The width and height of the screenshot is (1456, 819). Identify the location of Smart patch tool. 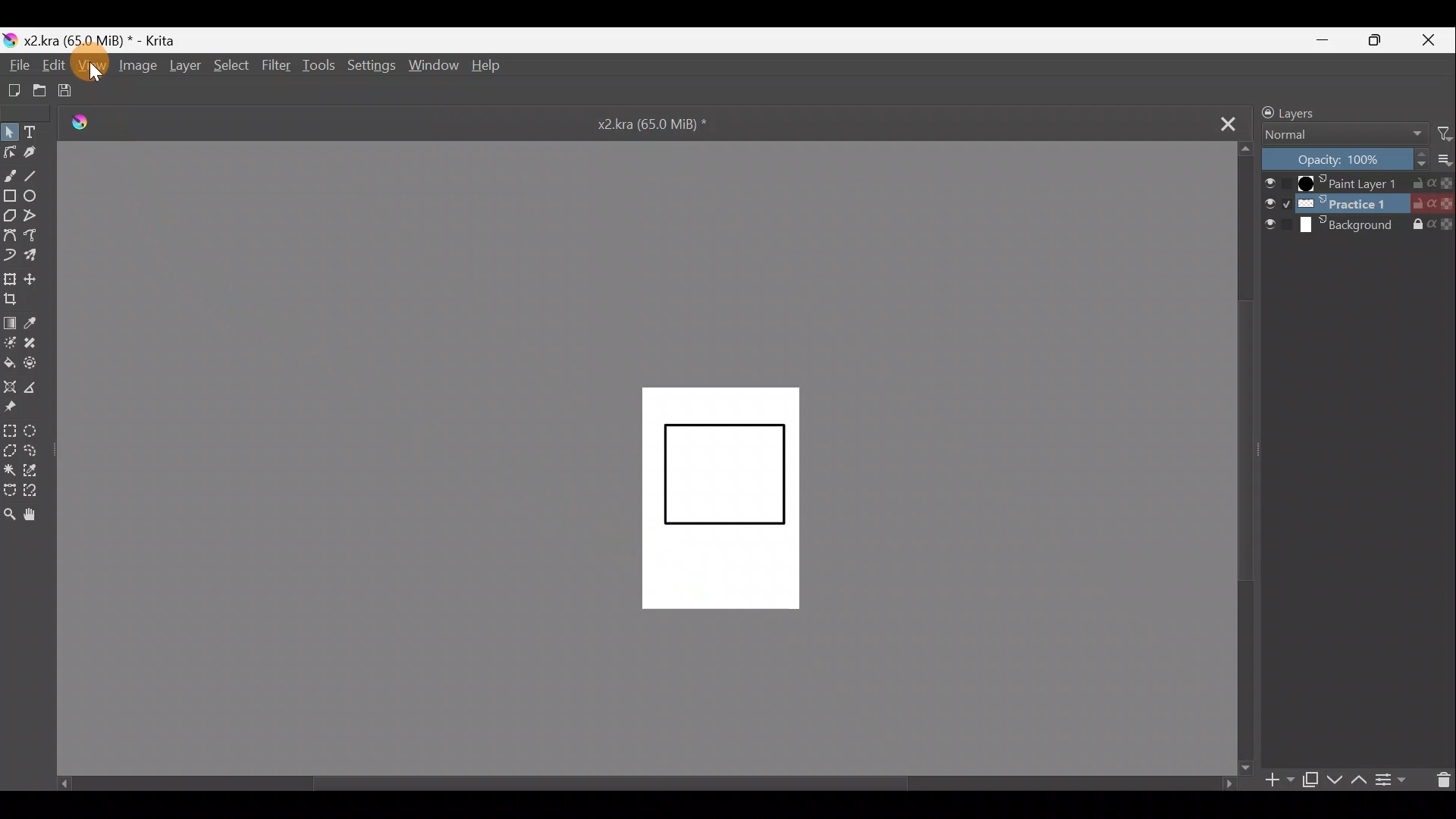
(38, 344).